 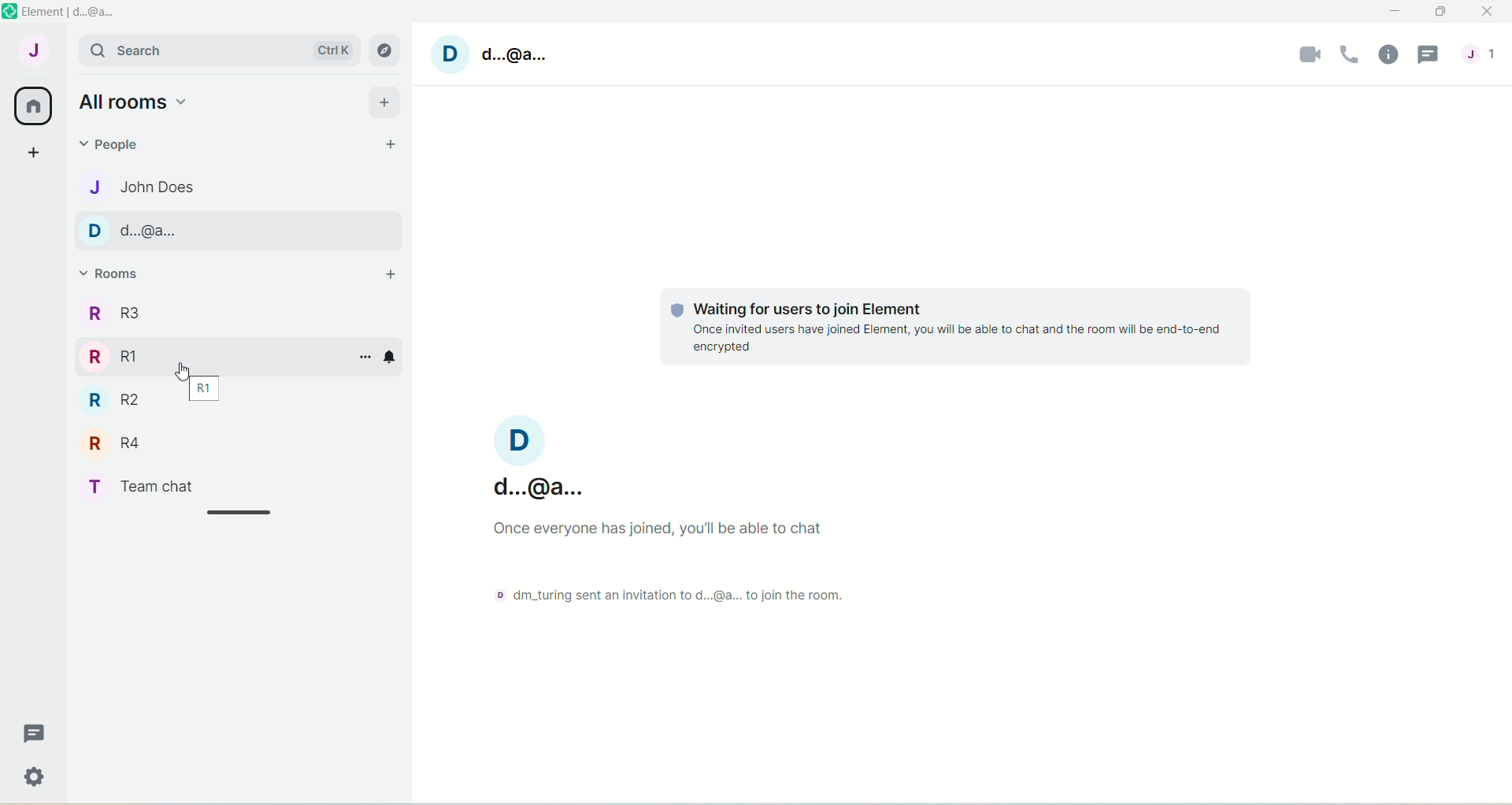 What do you see at coordinates (1397, 12) in the screenshot?
I see `minimize` at bounding box center [1397, 12].